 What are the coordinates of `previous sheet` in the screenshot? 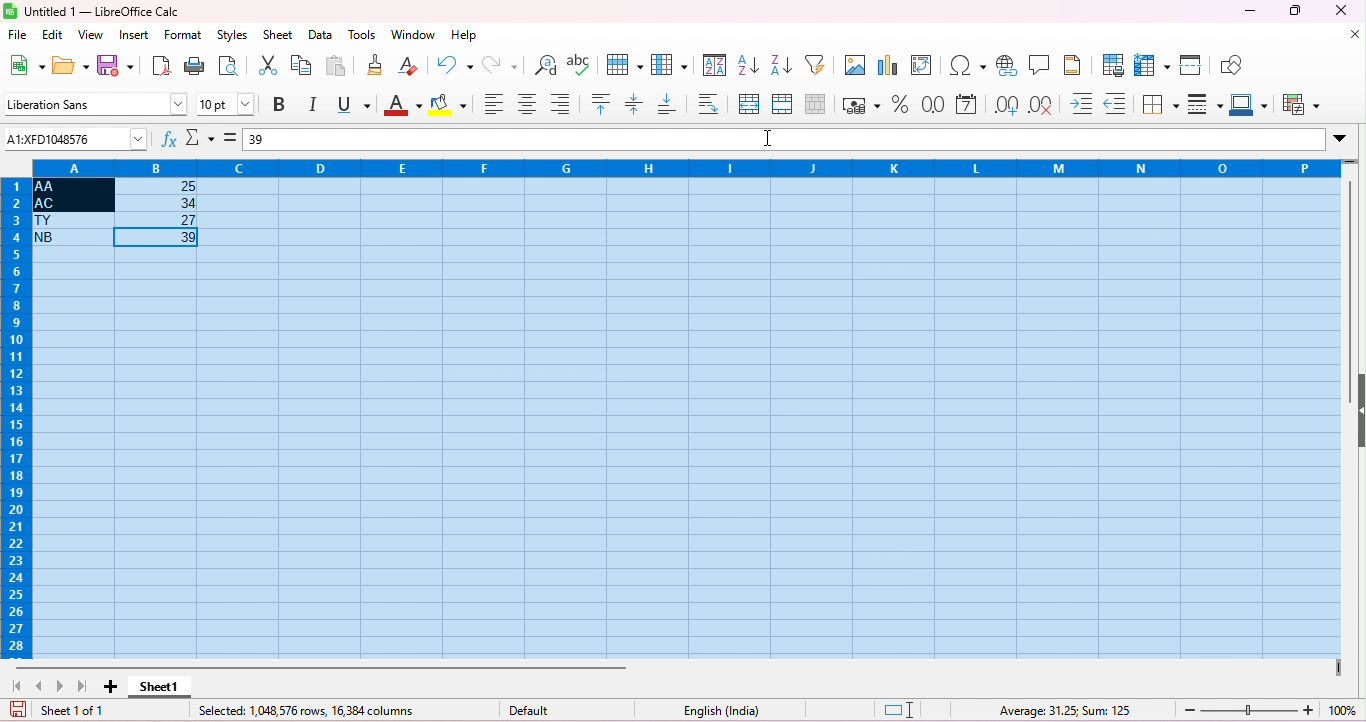 It's located at (41, 686).